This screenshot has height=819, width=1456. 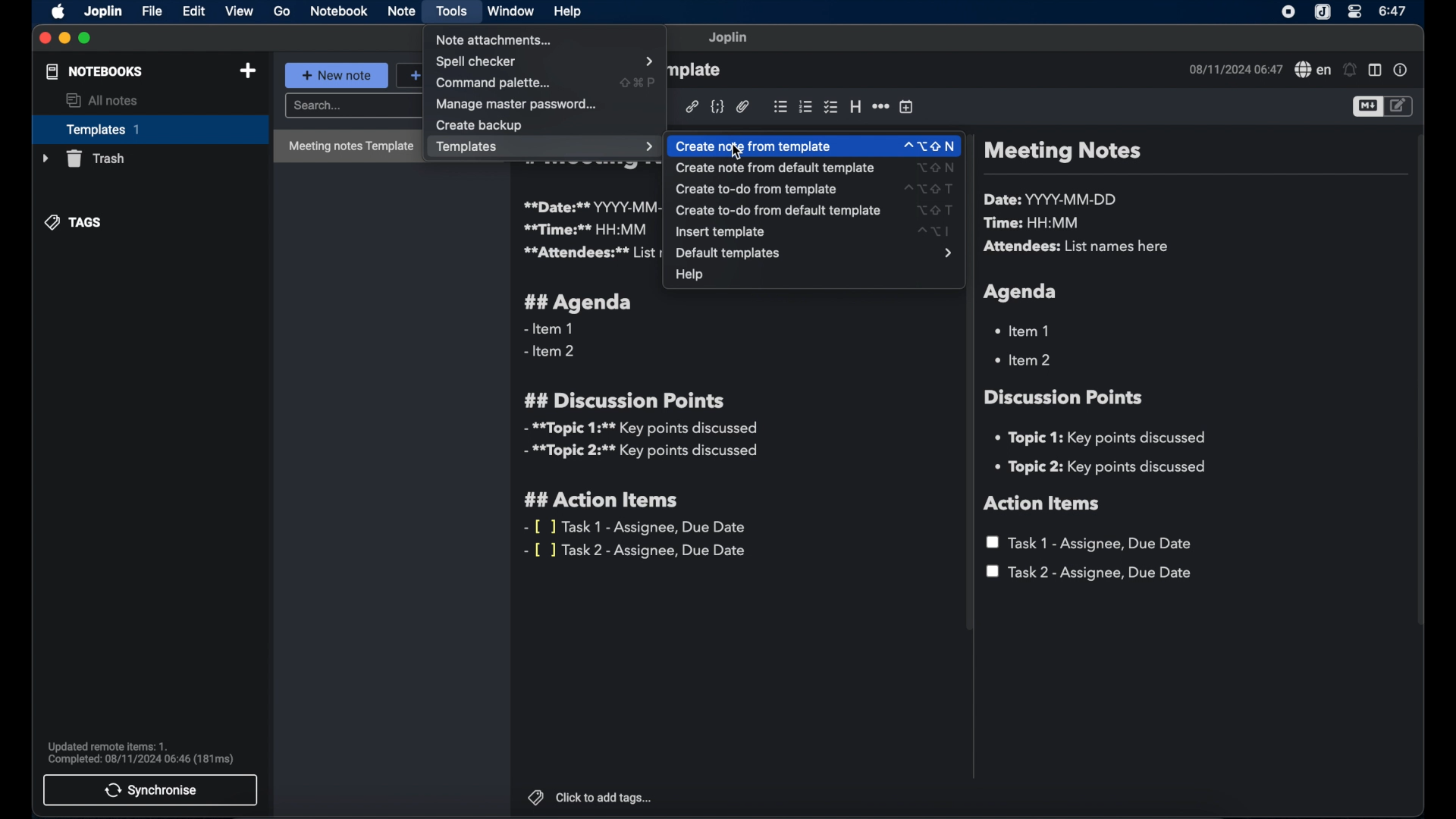 I want to click on screen recorder icon, so click(x=1289, y=12).